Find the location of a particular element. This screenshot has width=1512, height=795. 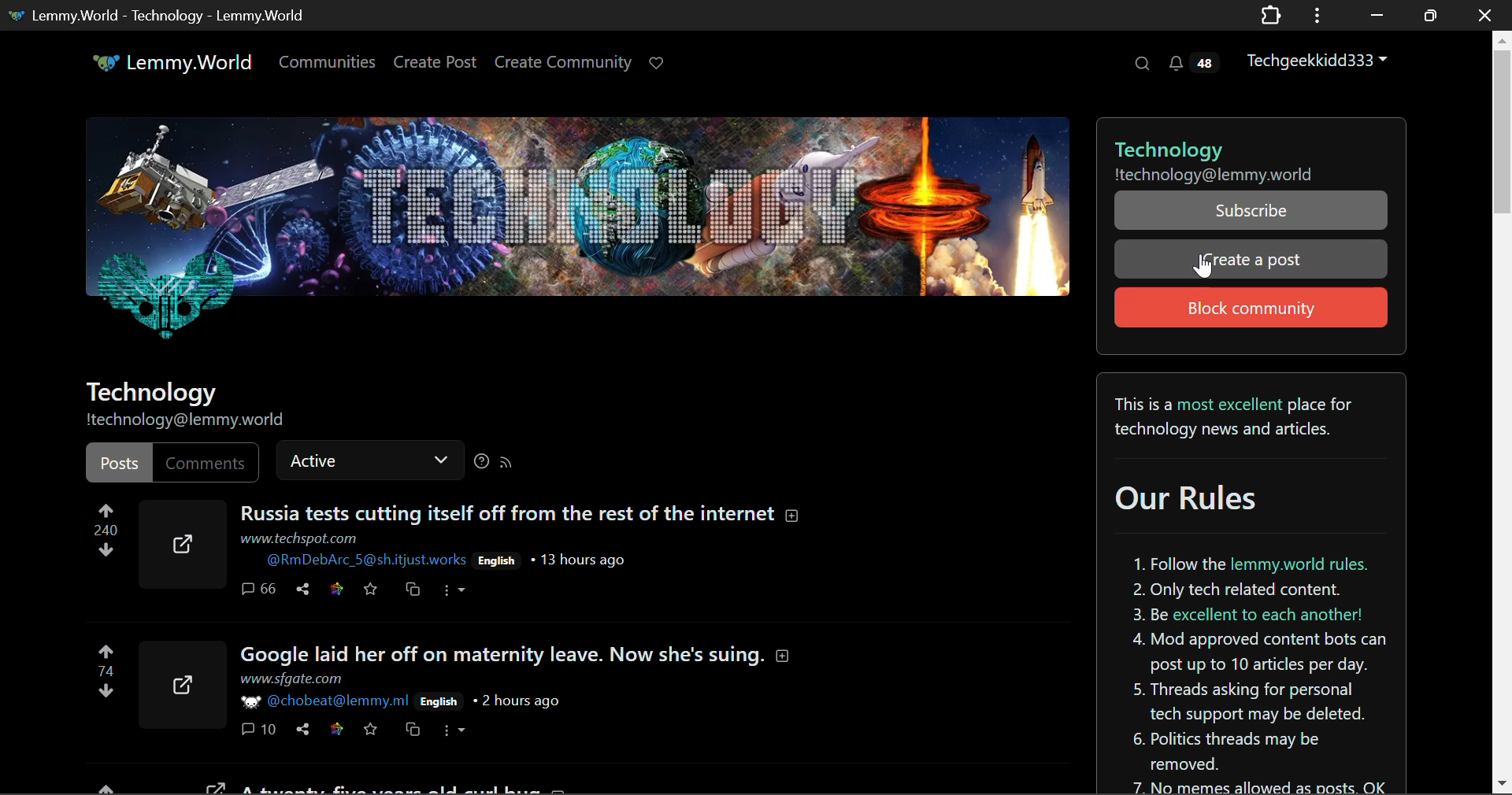

Active is located at coordinates (368, 462).